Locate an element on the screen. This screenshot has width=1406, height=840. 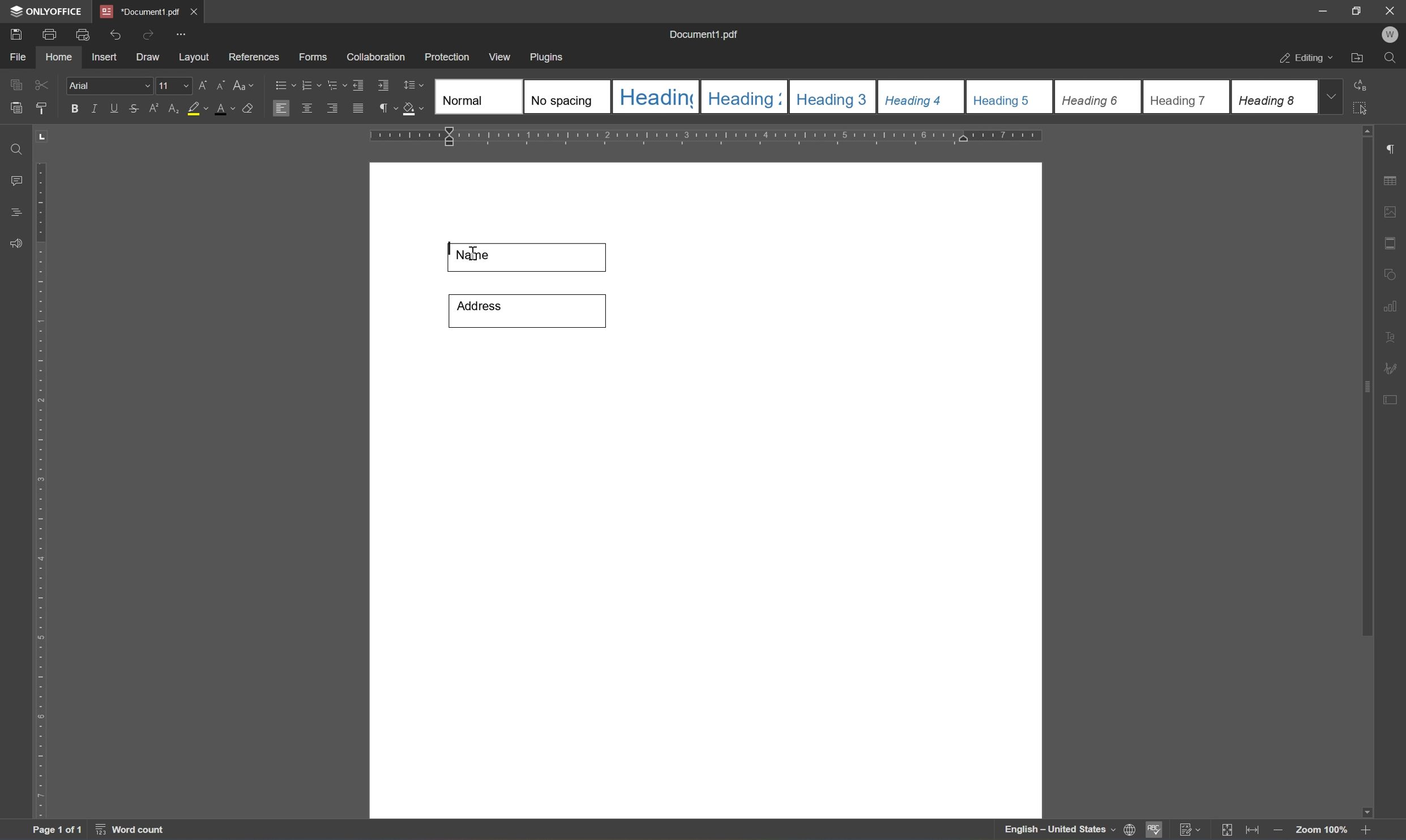
subscript is located at coordinates (172, 107).